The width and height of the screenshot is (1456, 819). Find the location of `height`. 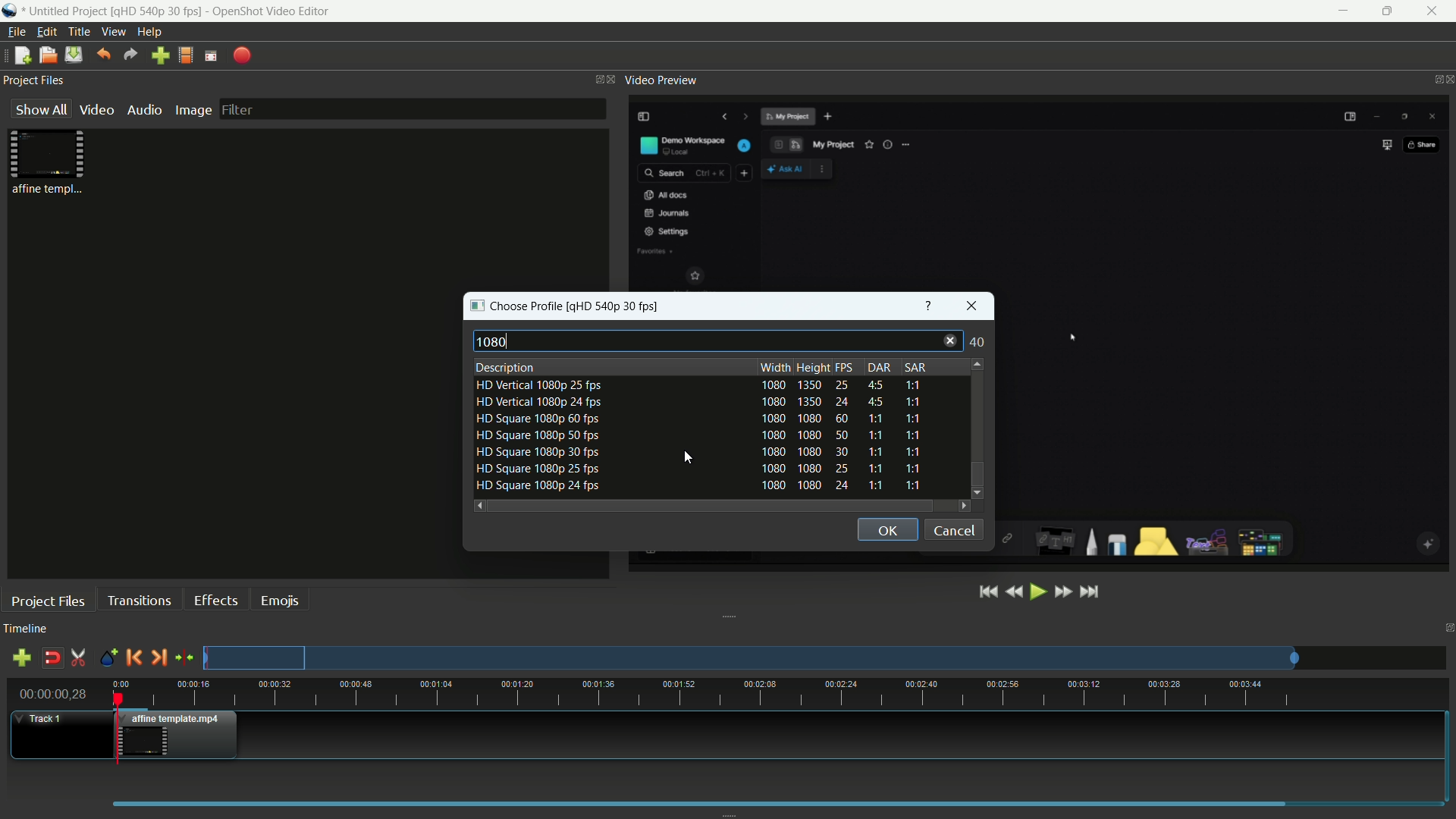

height is located at coordinates (813, 367).